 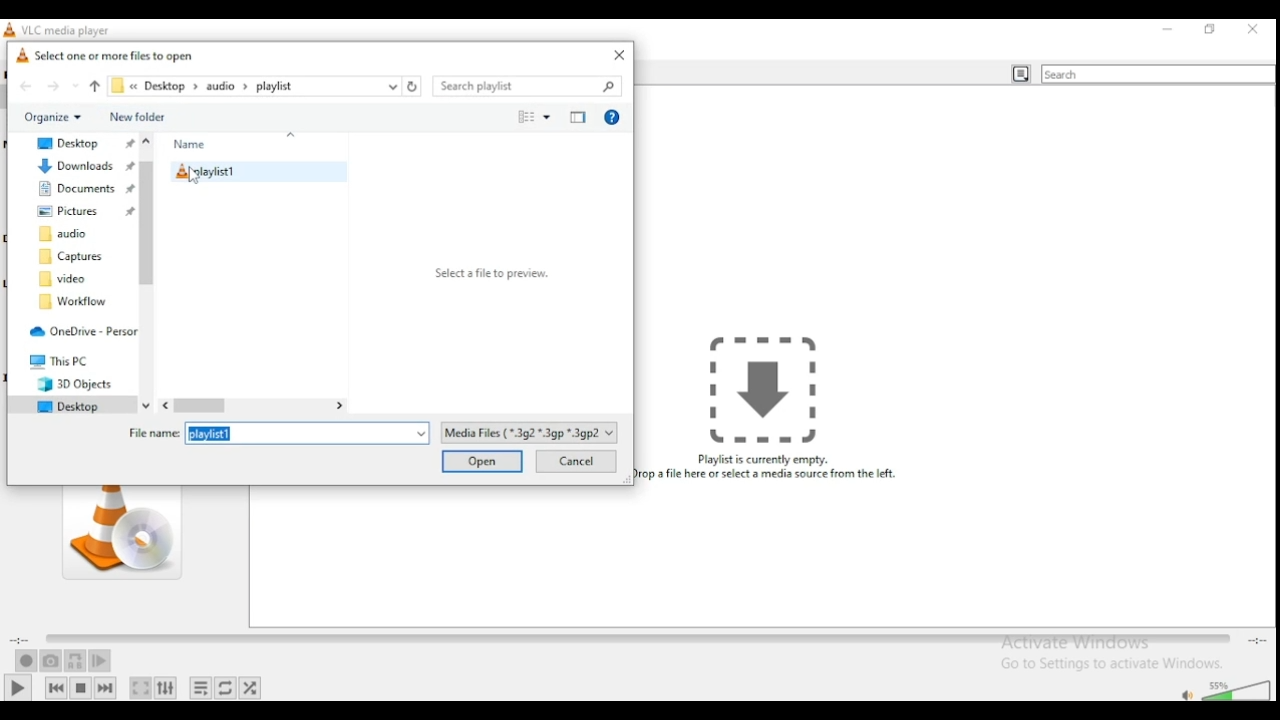 What do you see at coordinates (67, 30) in the screenshot?
I see `vlc media player` at bounding box center [67, 30].